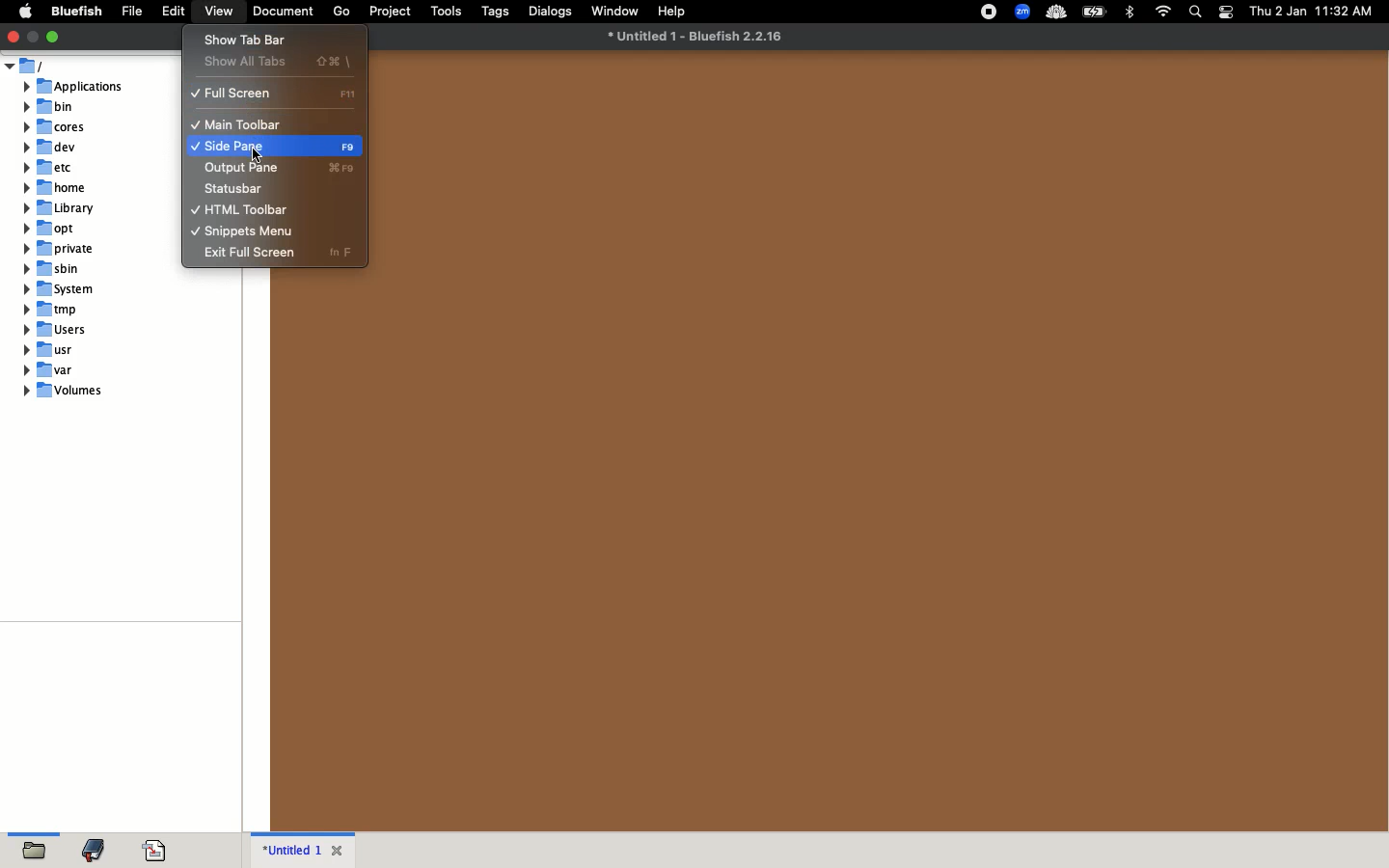 This screenshot has height=868, width=1389. What do you see at coordinates (50, 168) in the screenshot?
I see `etc` at bounding box center [50, 168].